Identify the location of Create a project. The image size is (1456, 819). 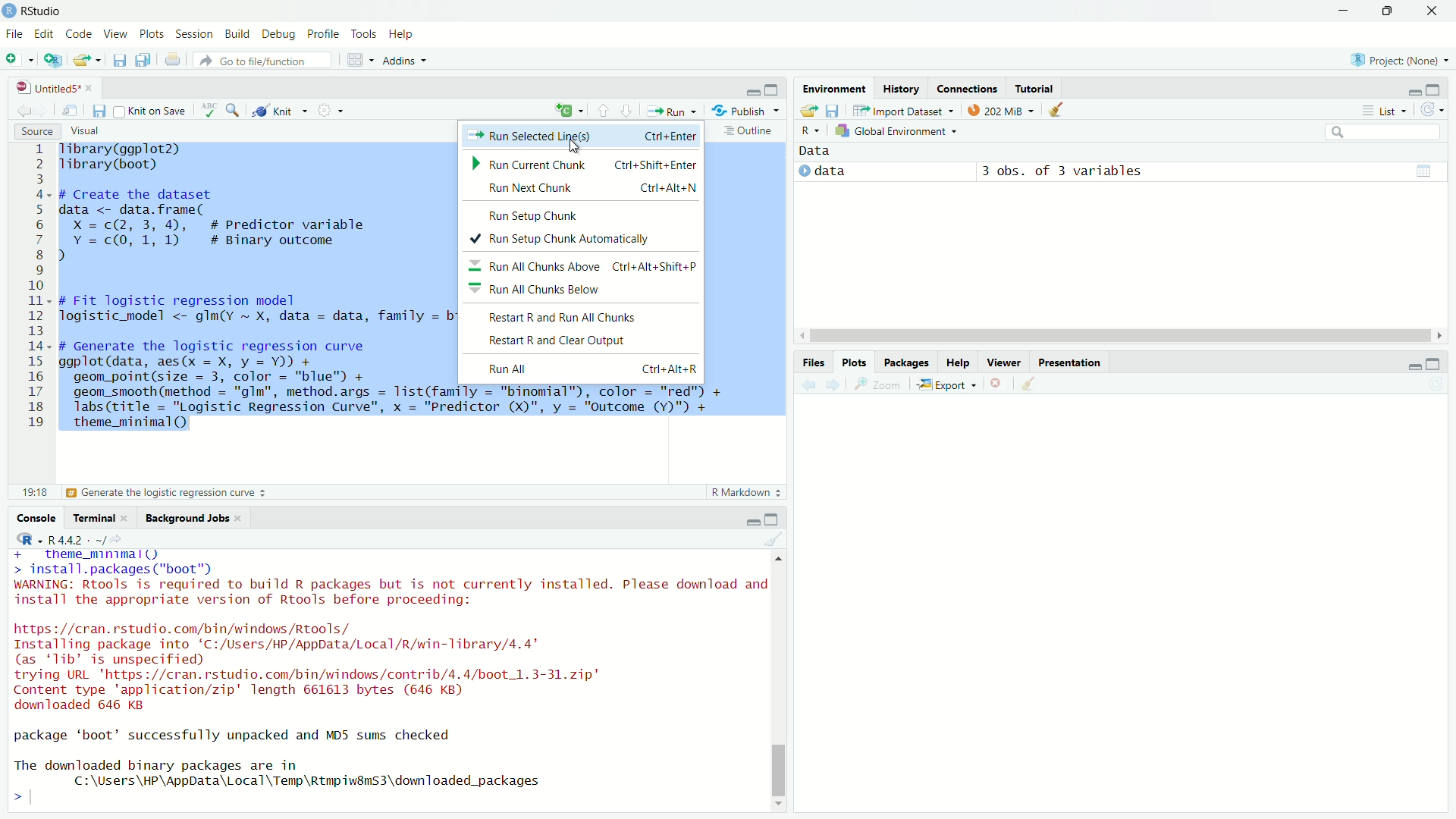
(52, 60).